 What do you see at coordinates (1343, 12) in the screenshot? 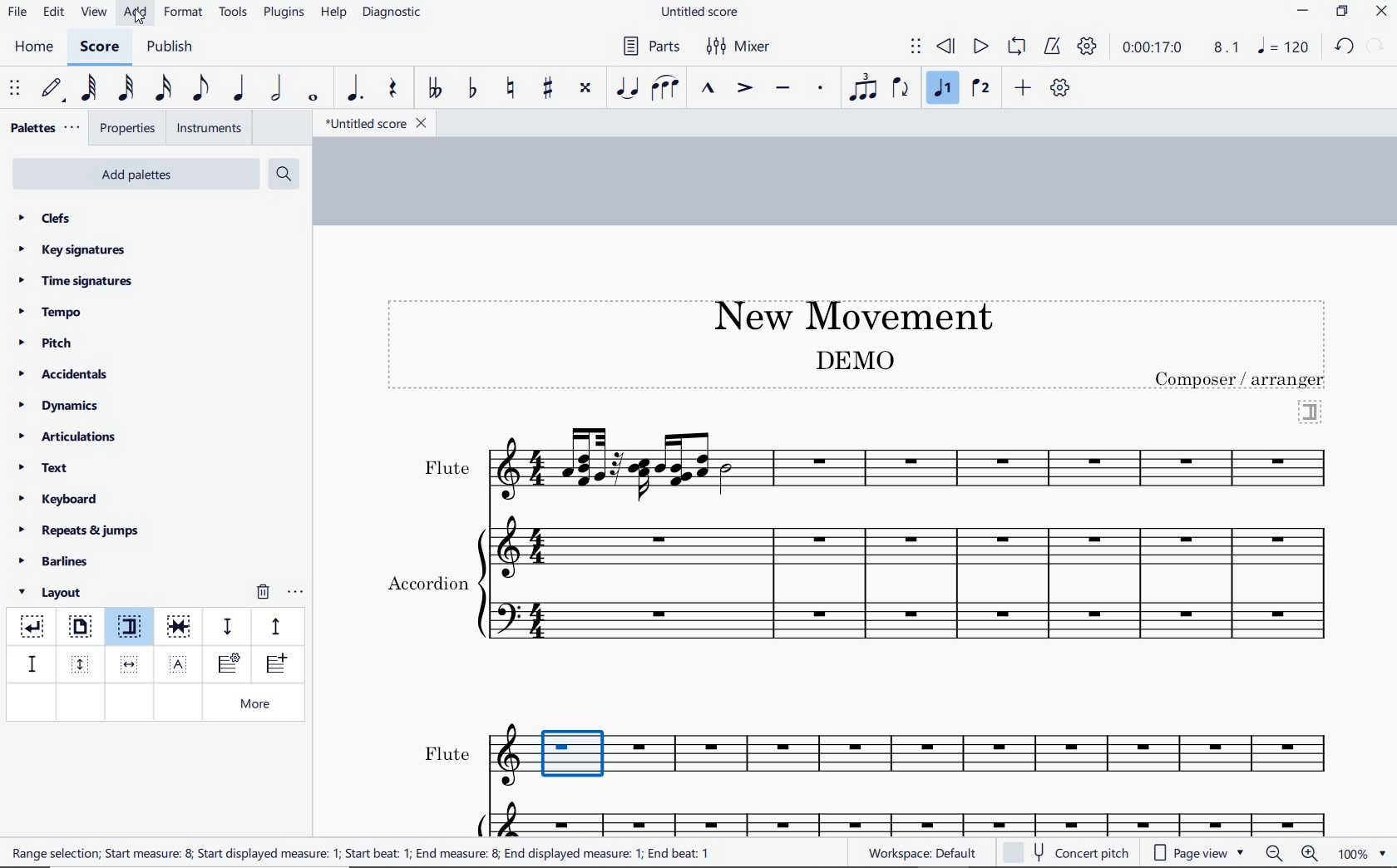
I see `restore down` at bounding box center [1343, 12].